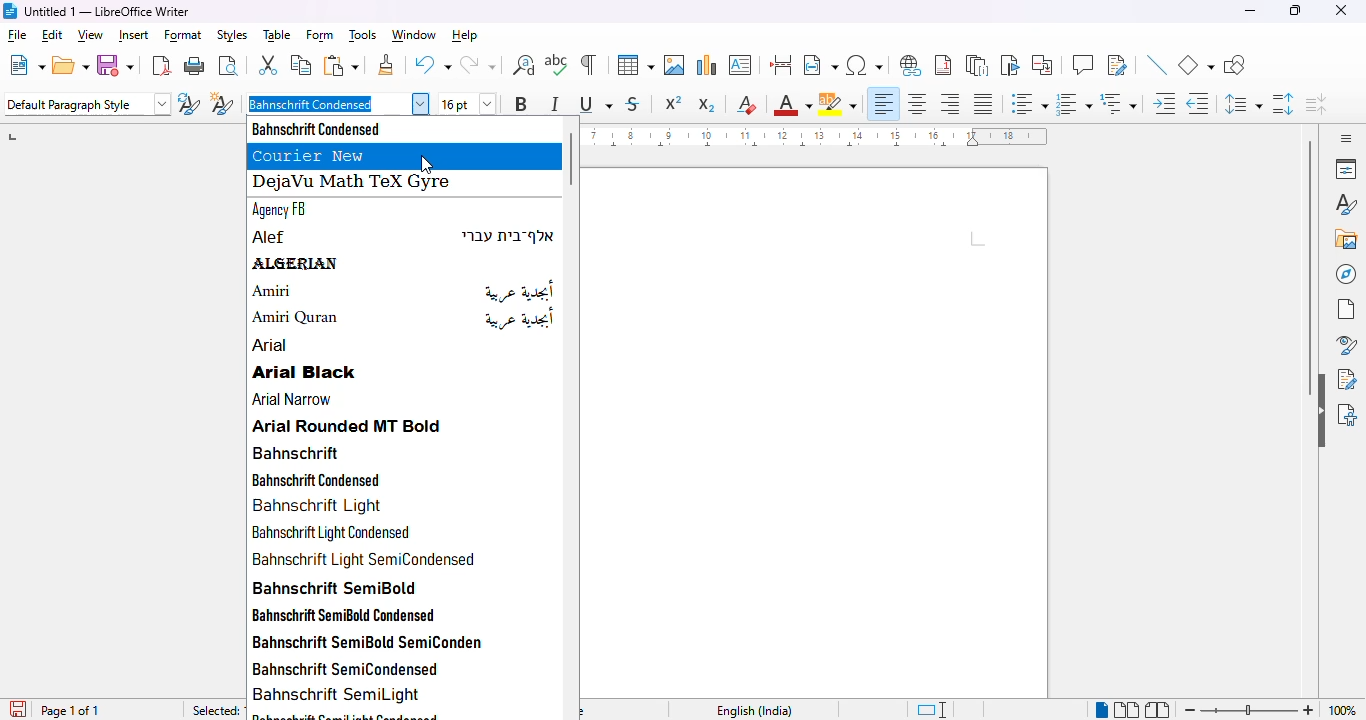 Image resolution: width=1366 pixels, height=720 pixels. I want to click on set line spacing, so click(1243, 102).